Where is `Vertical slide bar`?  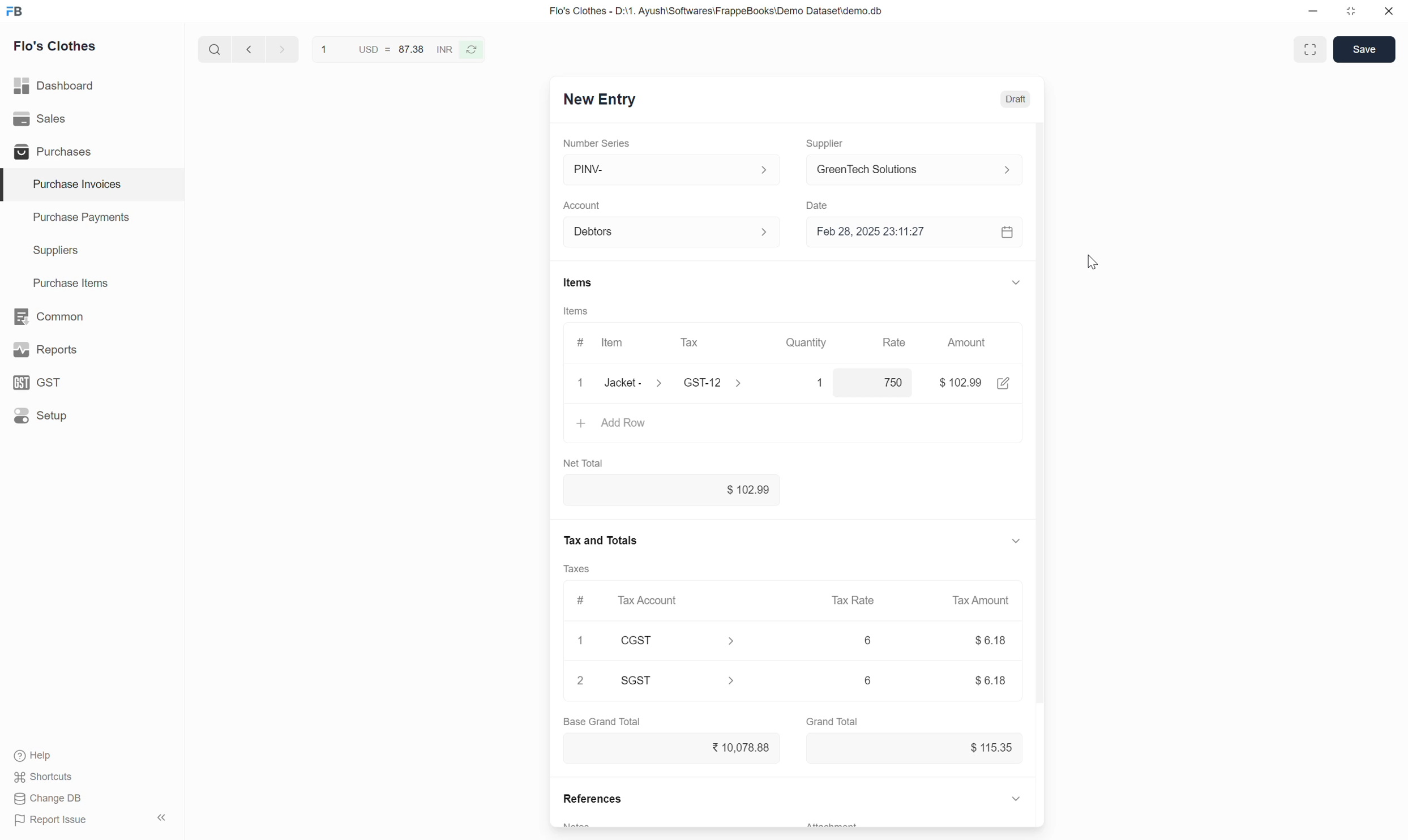
Vertical slide bar is located at coordinates (1040, 436).